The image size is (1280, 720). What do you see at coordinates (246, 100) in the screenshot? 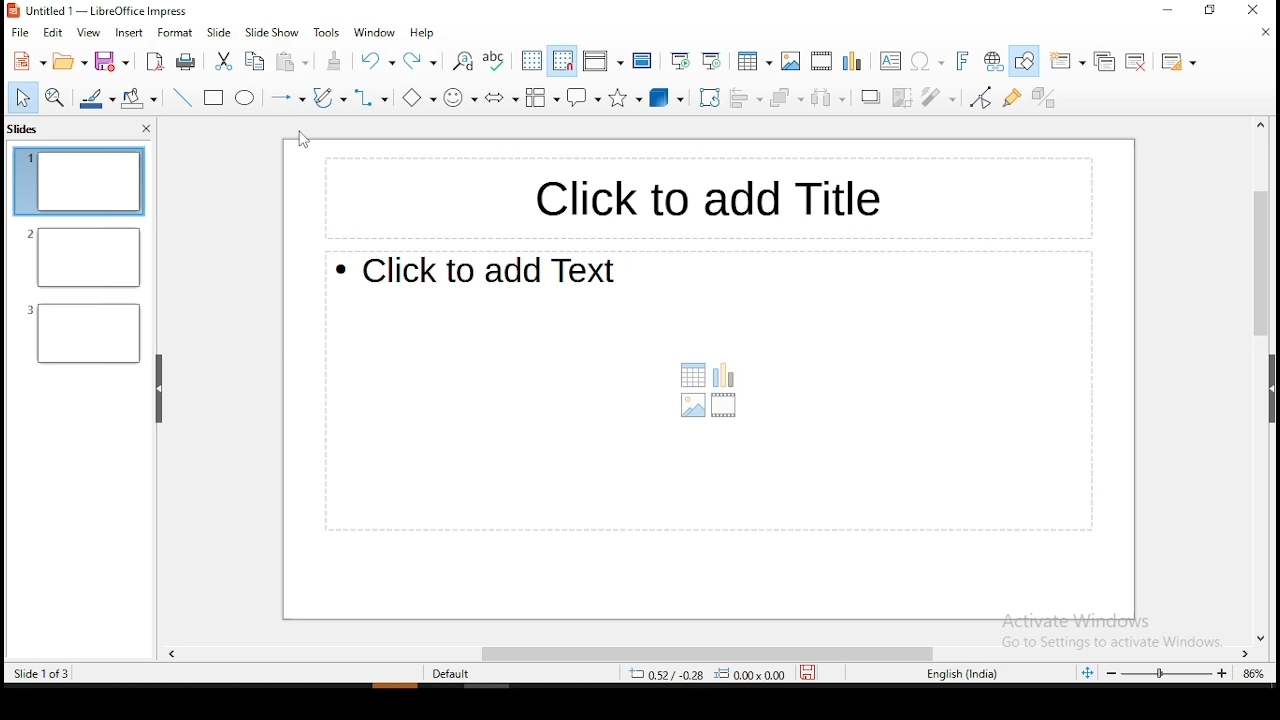
I see `ellipse` at bounding box center [246, 100].